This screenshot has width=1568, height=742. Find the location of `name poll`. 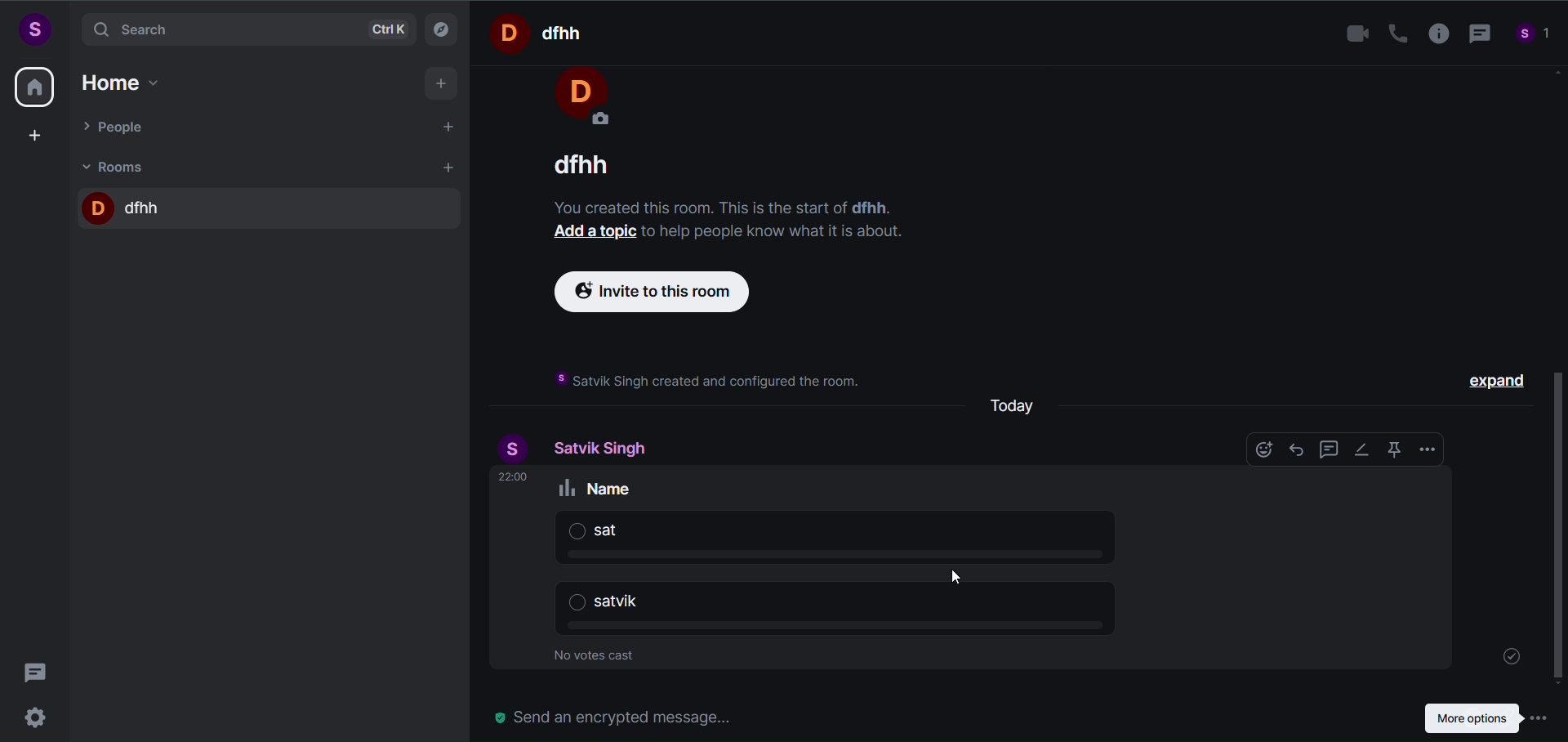

name poll is located at coordinates (600, 488).